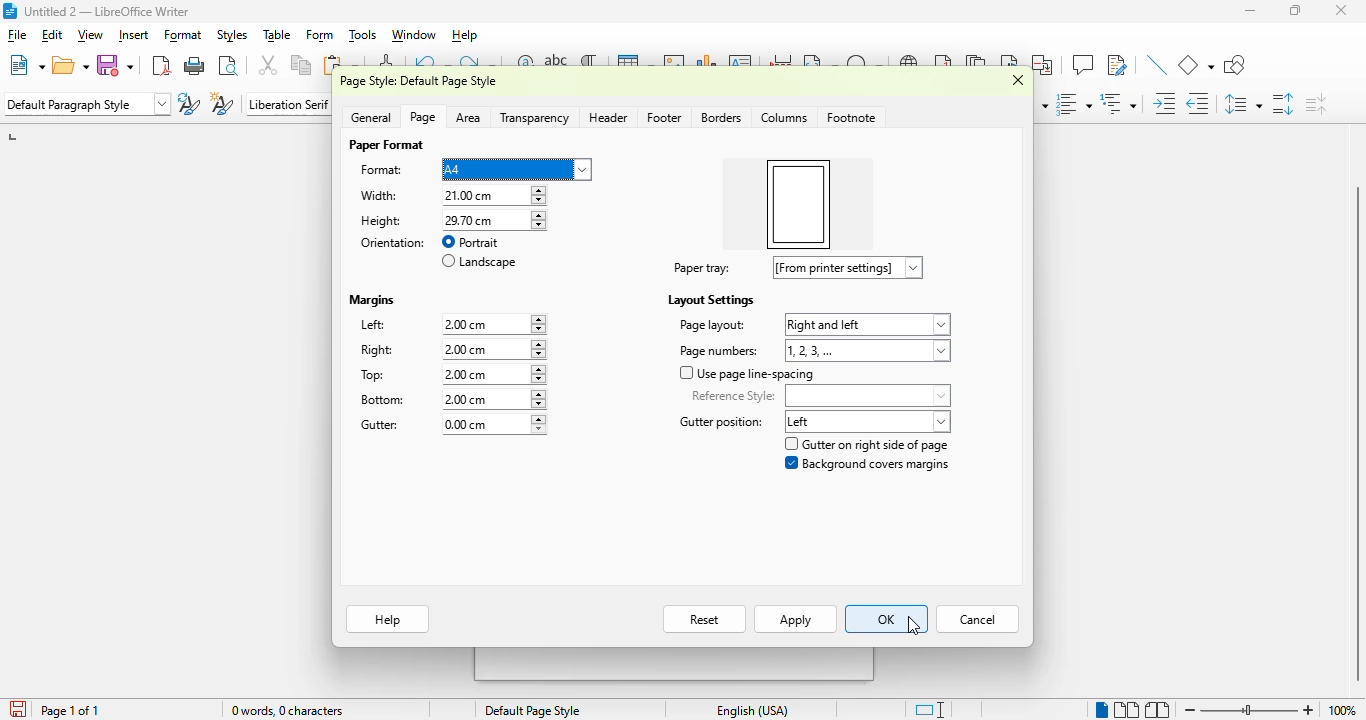 The width and height of the screenshot is (1366, 720). Describe the element at coordinates (1235, 65) in the screenshot. I see `show draw functions` at that location.